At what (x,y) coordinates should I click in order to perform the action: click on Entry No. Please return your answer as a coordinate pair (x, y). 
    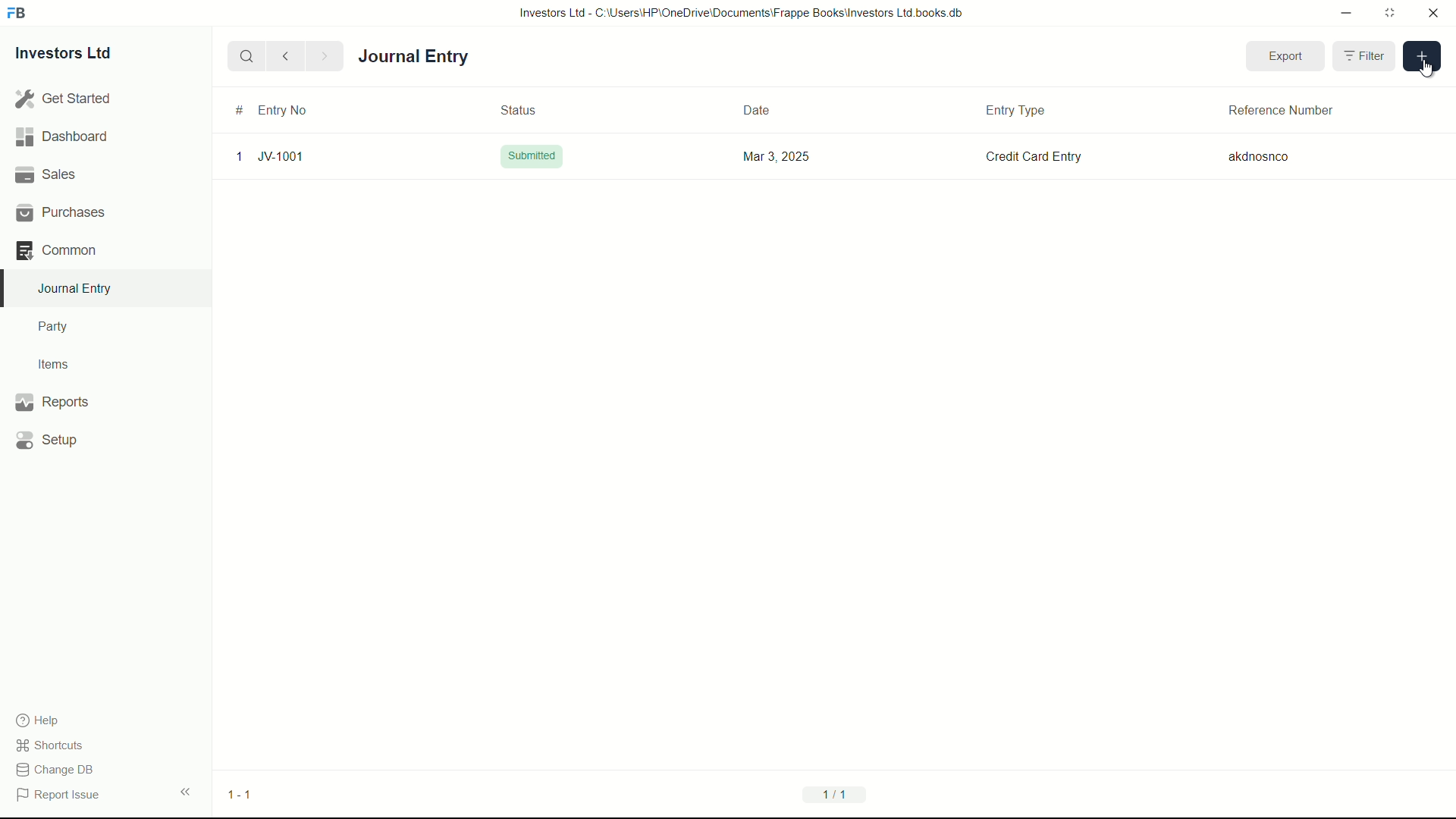
    Looking at the image, I should click on (284, 111).